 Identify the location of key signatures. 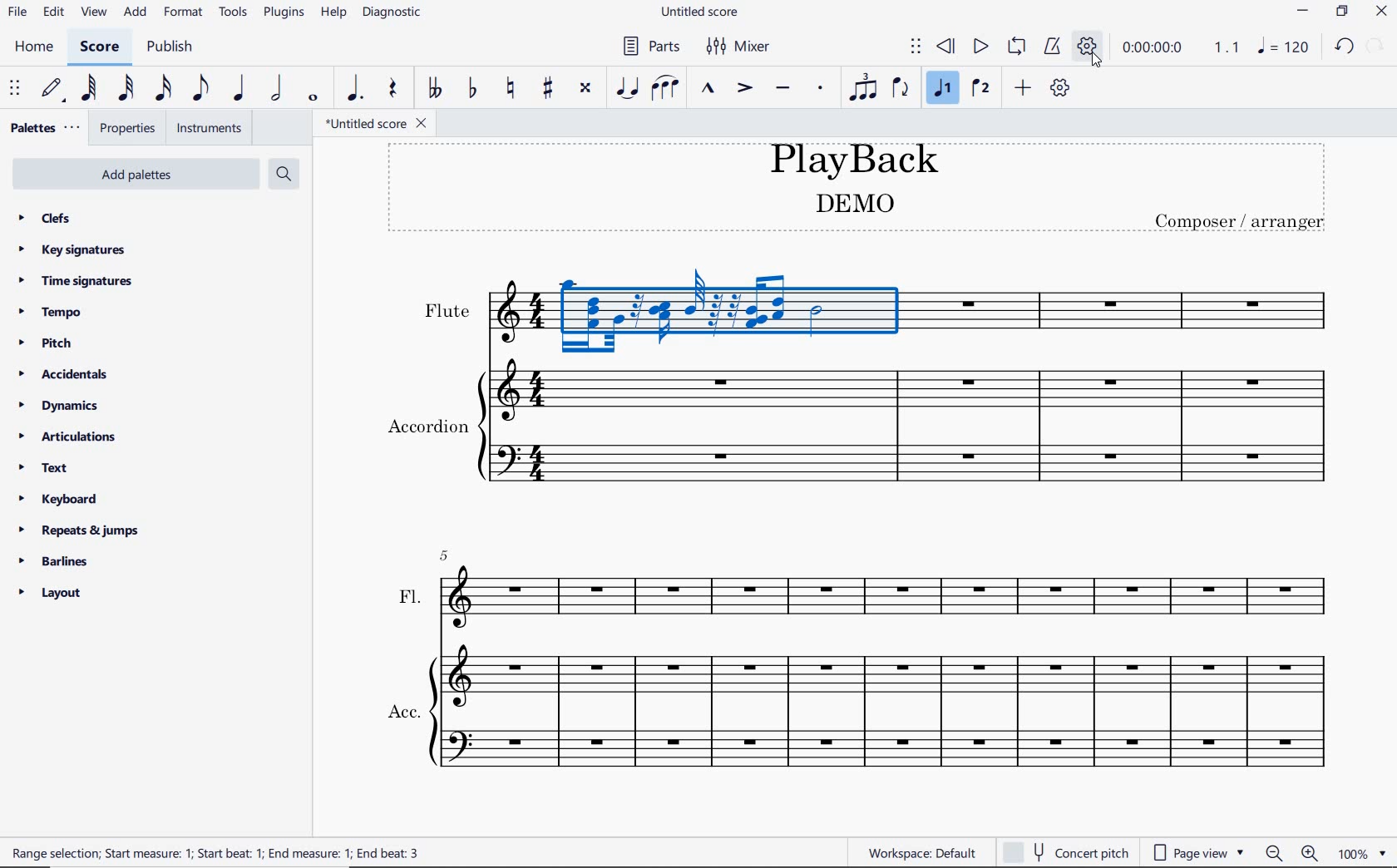
(77, 250).